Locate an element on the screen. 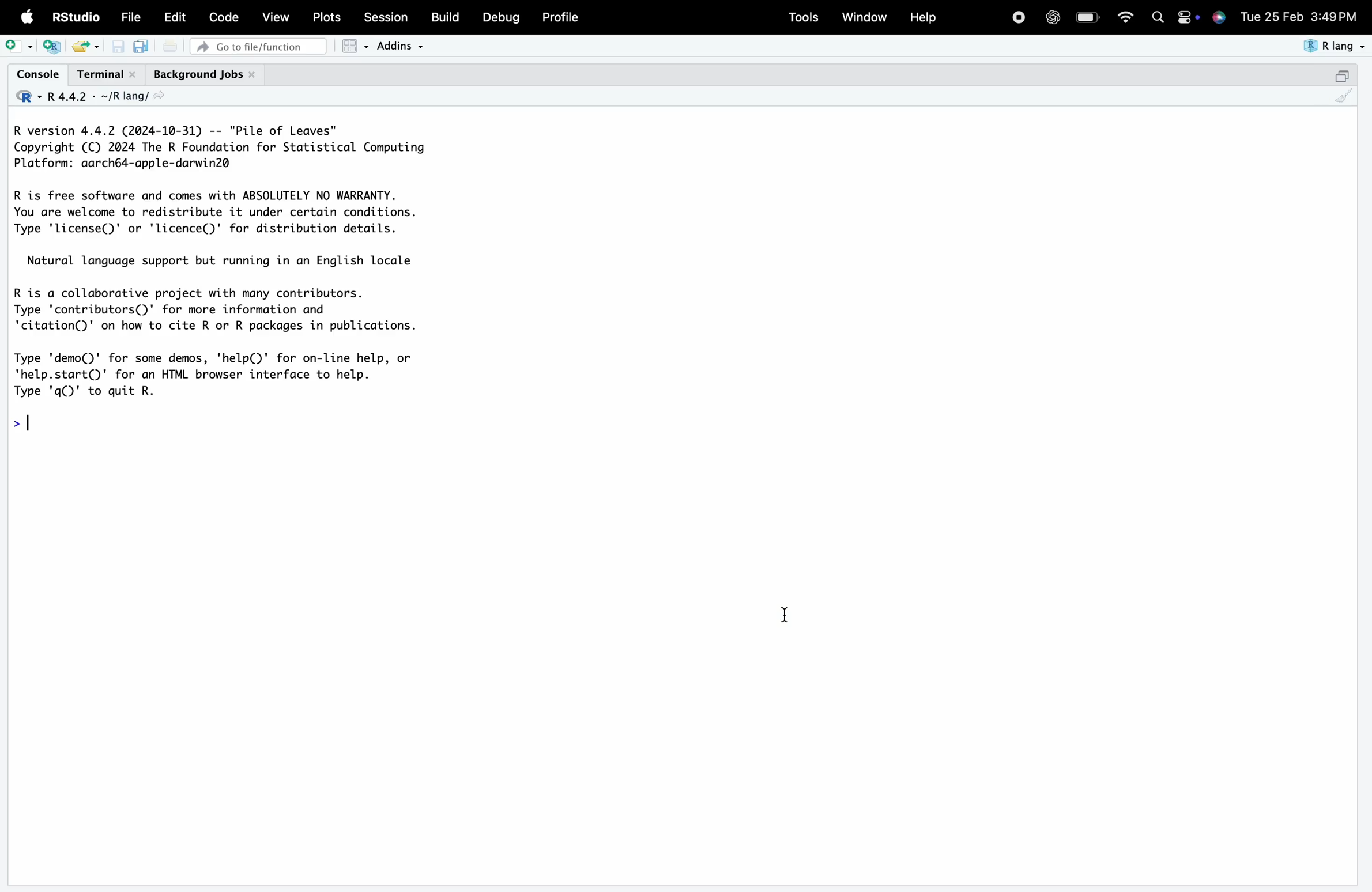  R lang is located at coordinates (129, 96).